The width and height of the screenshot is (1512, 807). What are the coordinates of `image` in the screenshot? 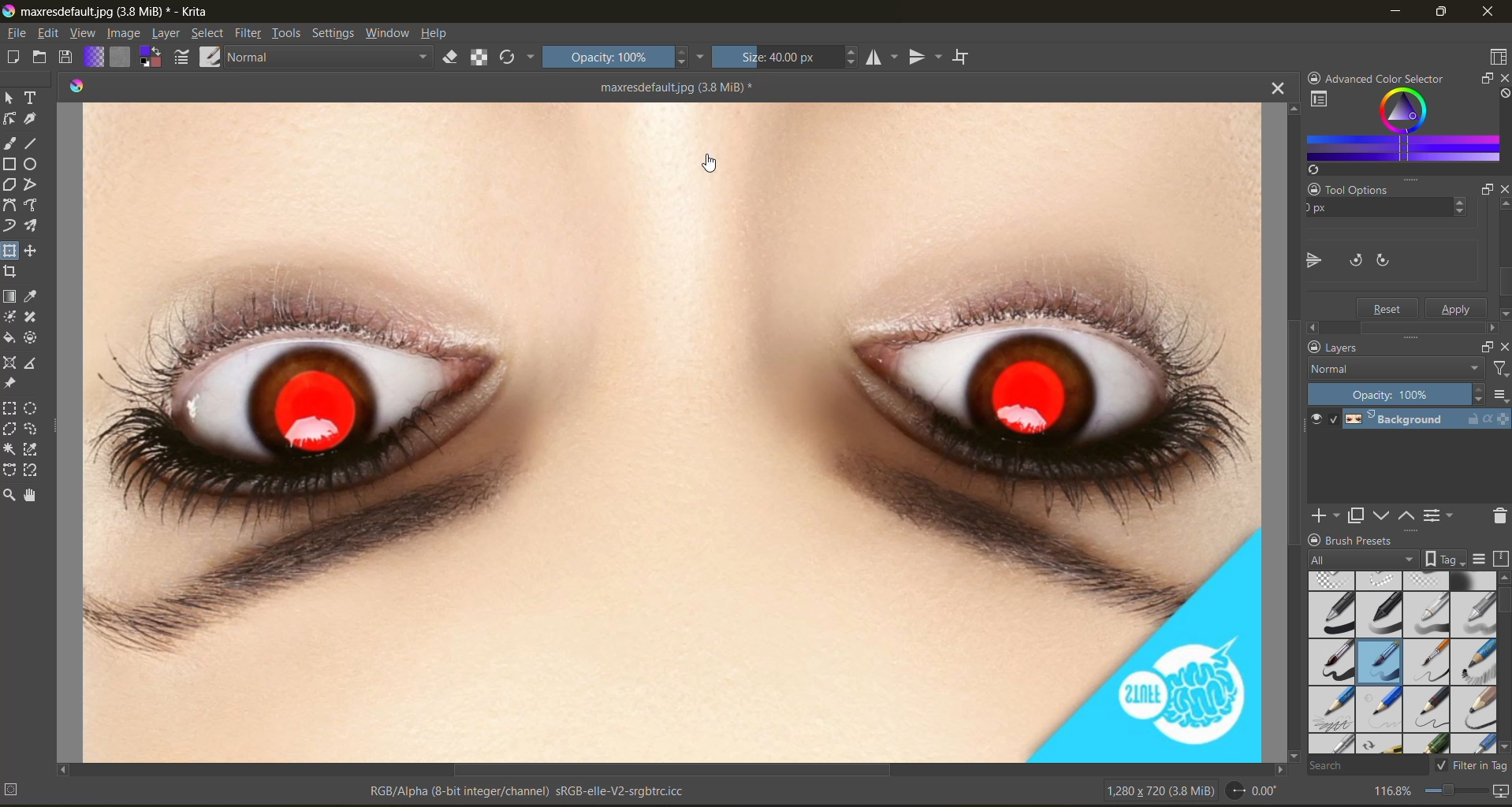 It's located at (124, 35).